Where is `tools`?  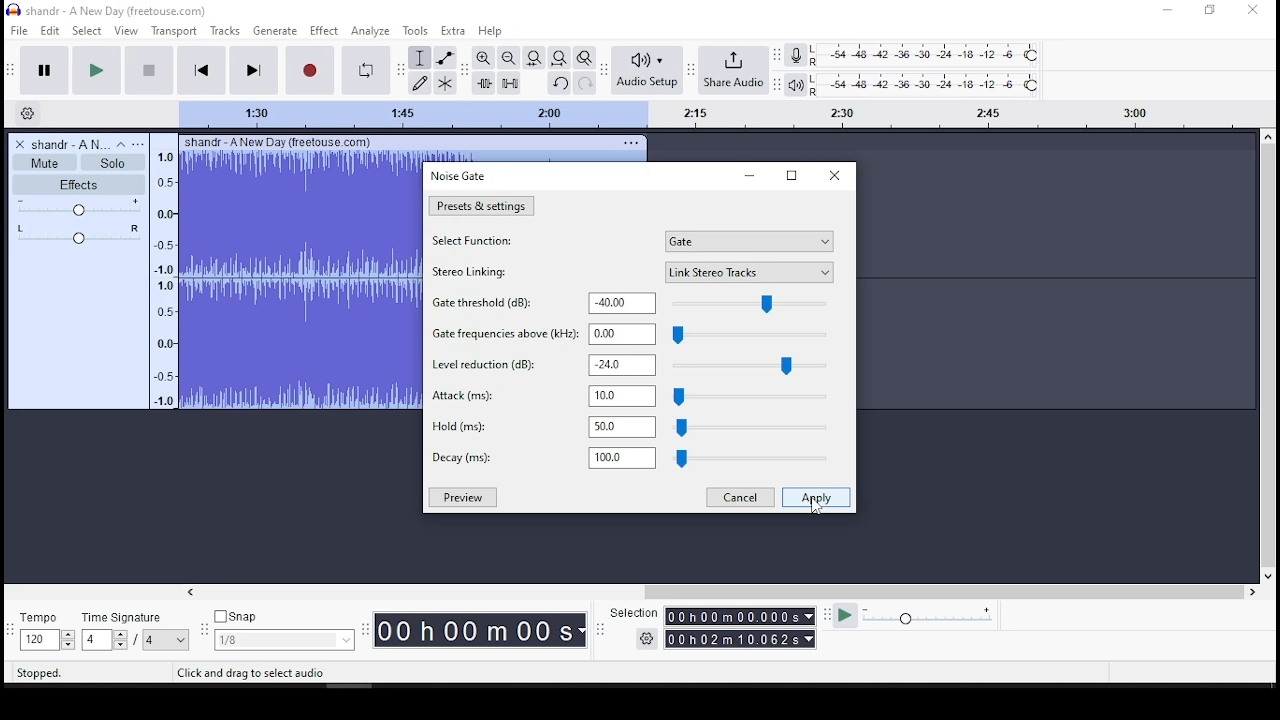 tools is located at coordinates (417, 30).